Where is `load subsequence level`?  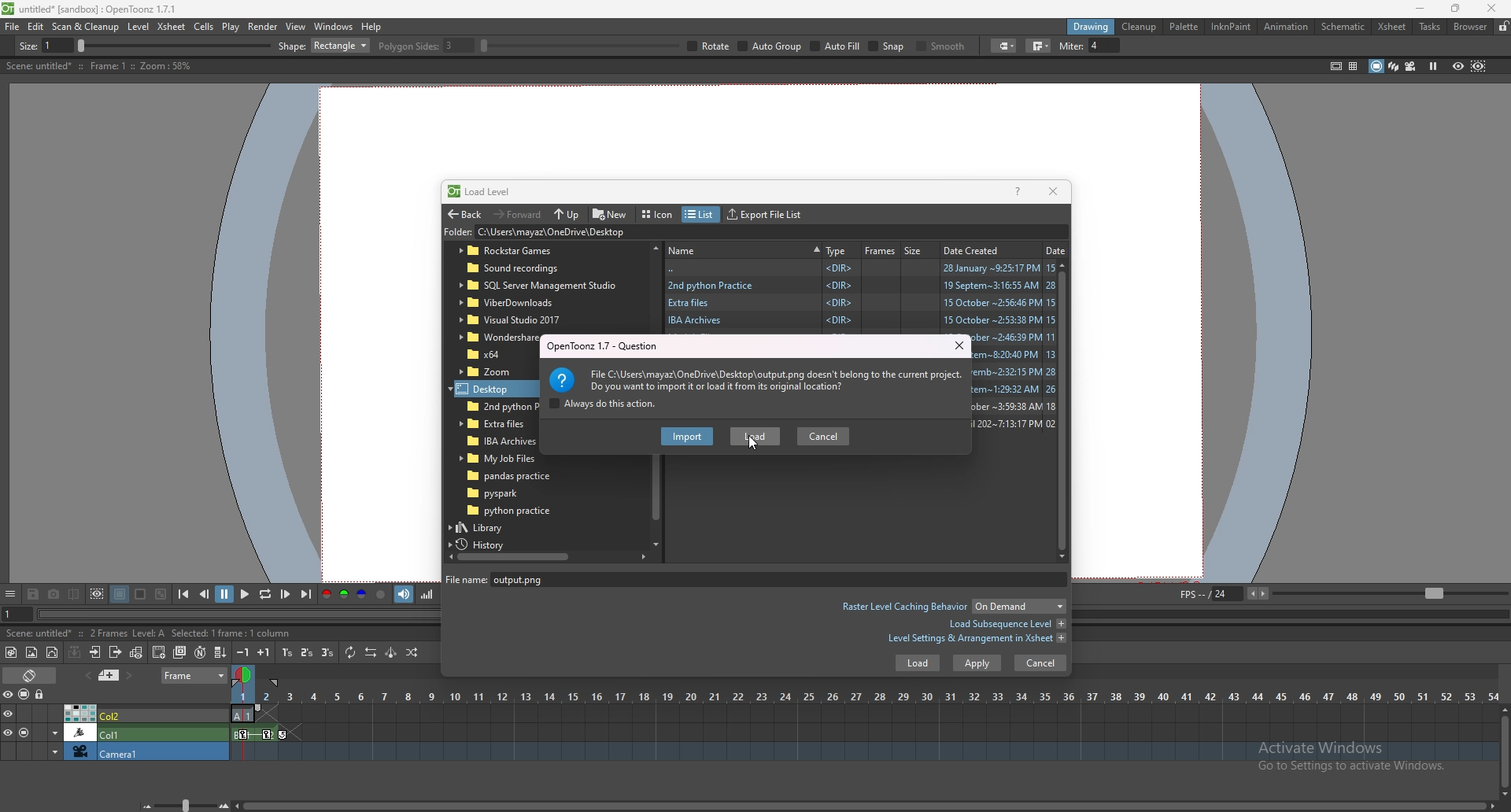
load subsequence level is located at coordinates (1007, 624).